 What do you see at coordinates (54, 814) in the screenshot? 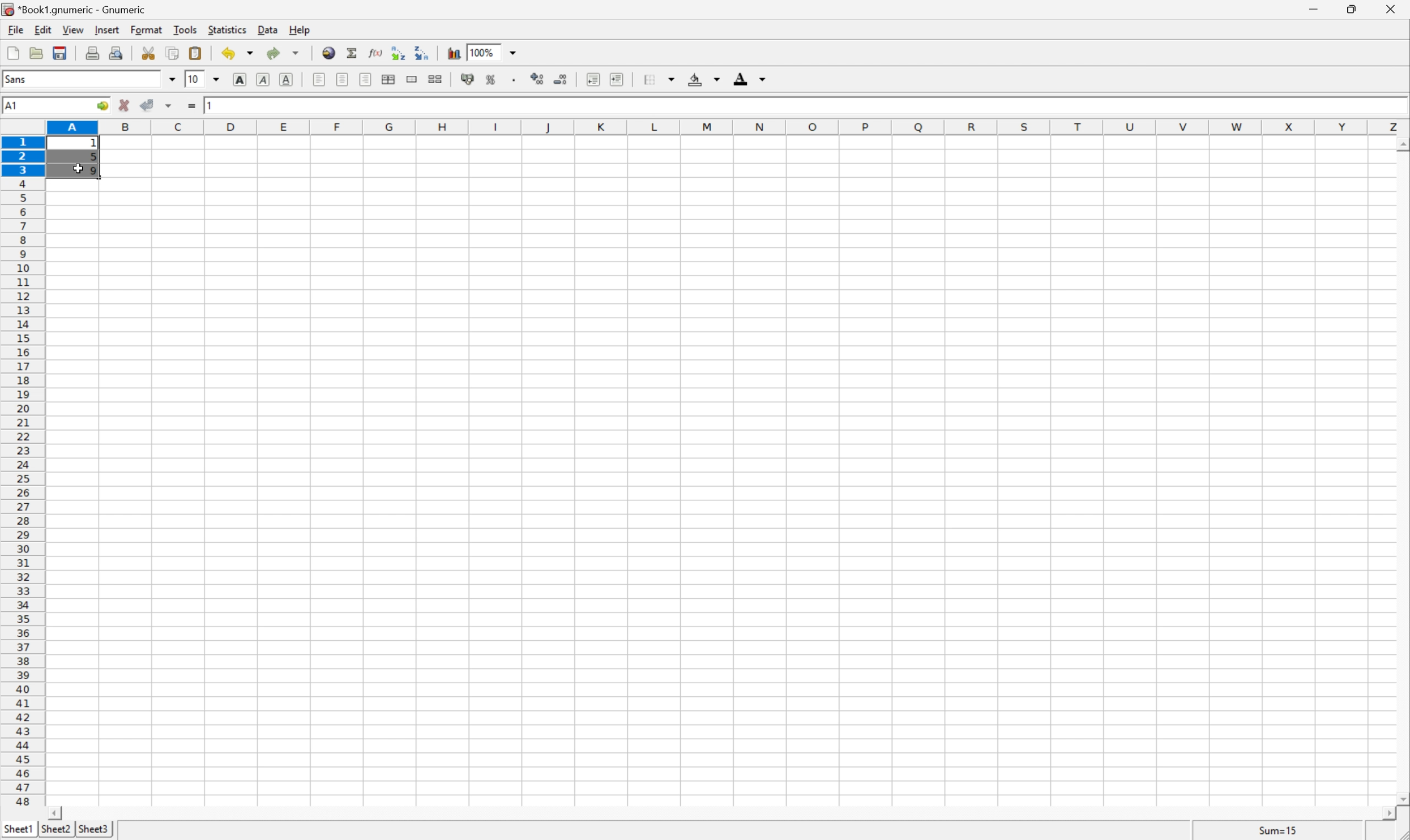
I see `scroll left` at bounding box center [54, 814].